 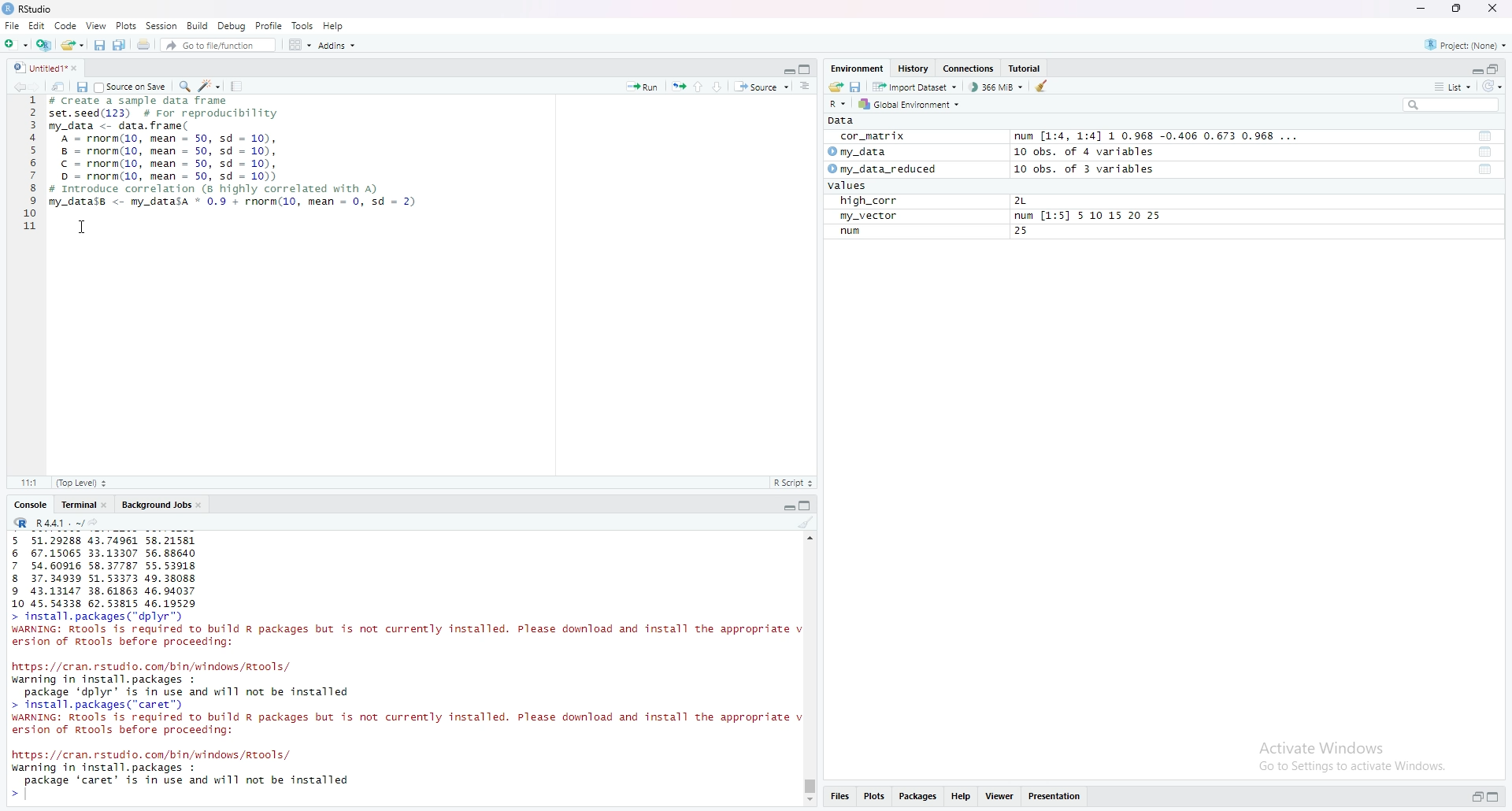 What do you see at coordinates (302, 46) in the screenshot?
I see `Grid` at bounding box center [302, 46].